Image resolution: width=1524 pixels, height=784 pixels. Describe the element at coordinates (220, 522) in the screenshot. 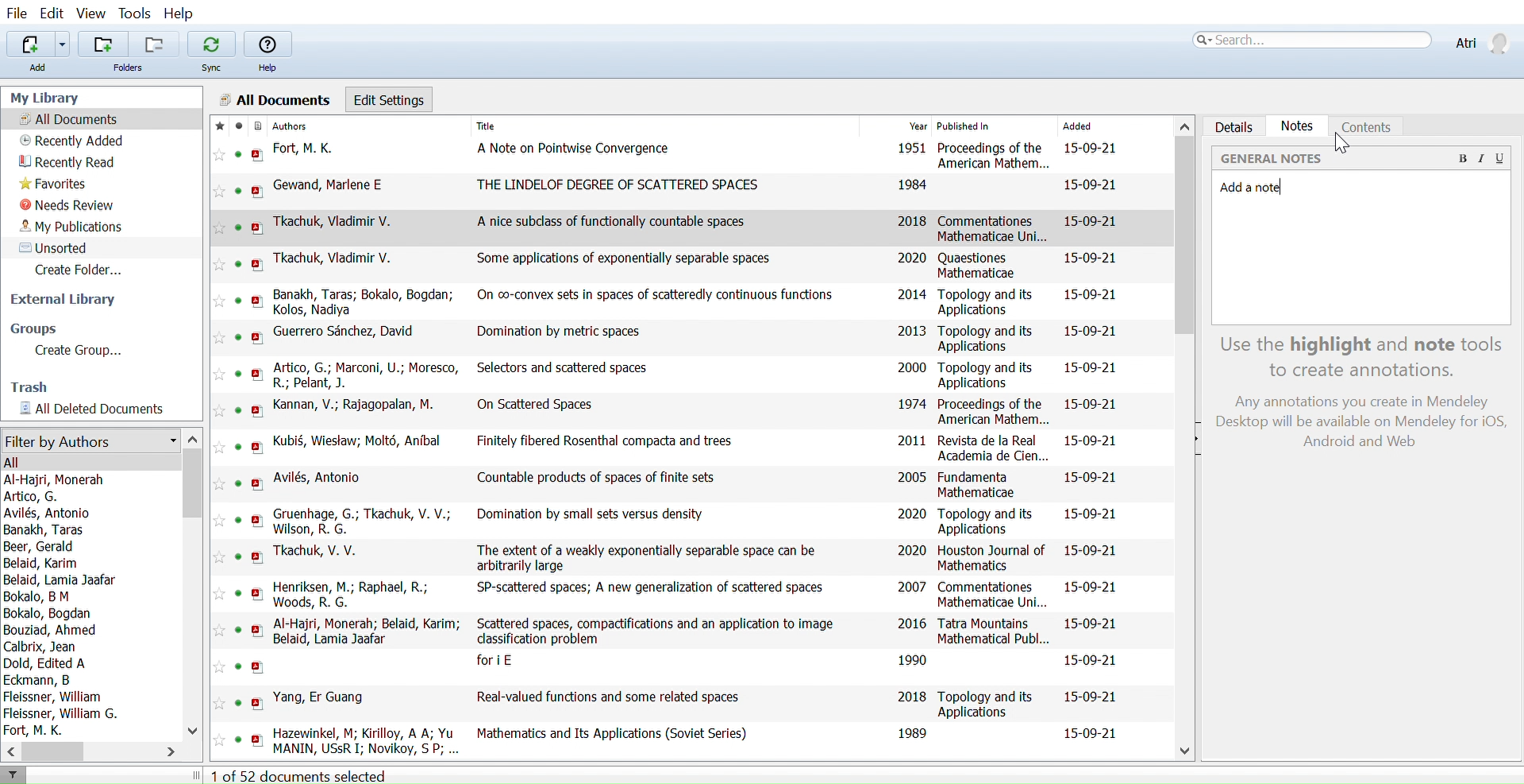

I see `Add this reference to favorites` at that location.